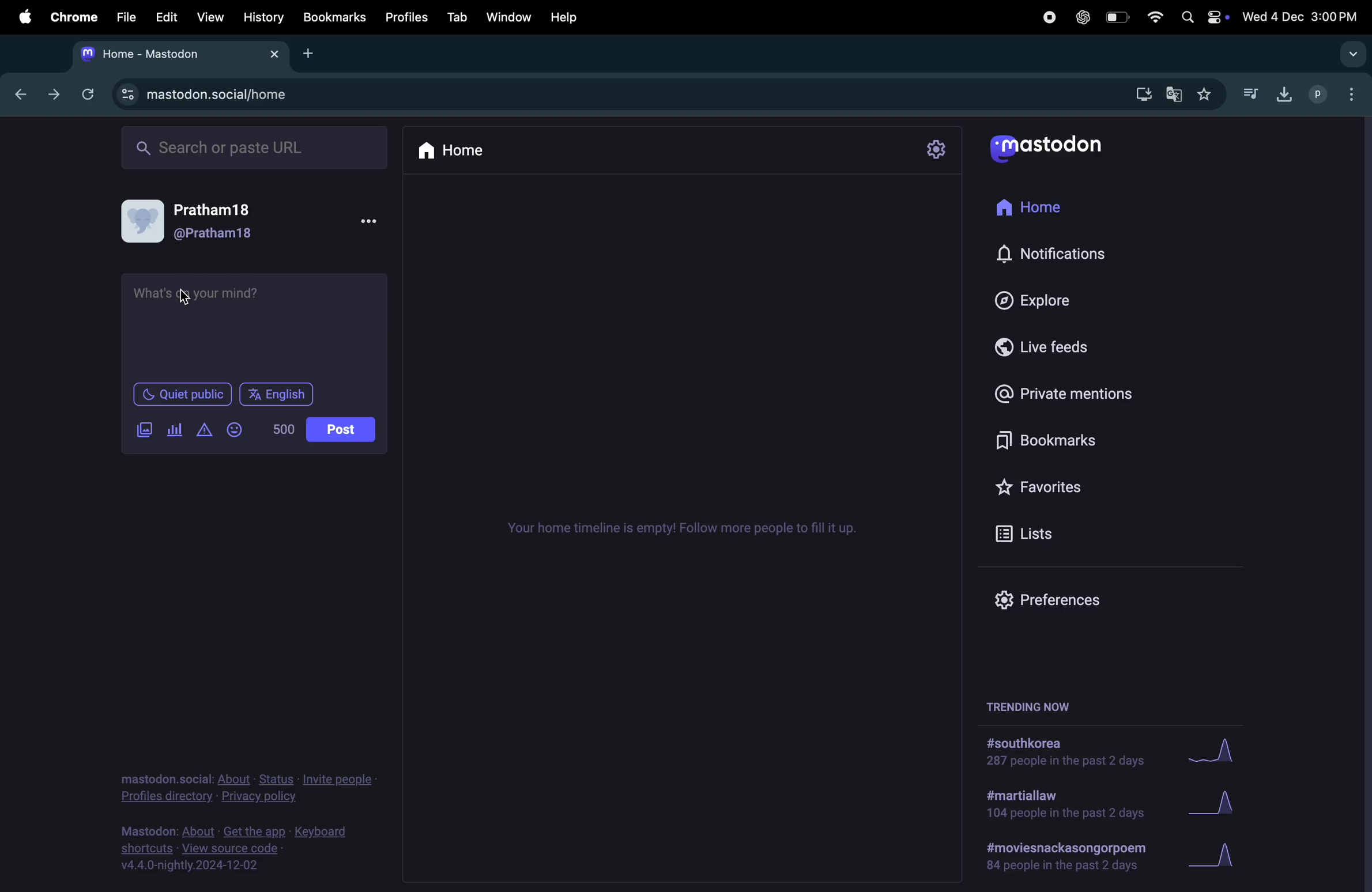 This screenshot has height=892, width=1372. Describe the element at coordinates (1141, 95) in the screenshot. I see `download` at that location.